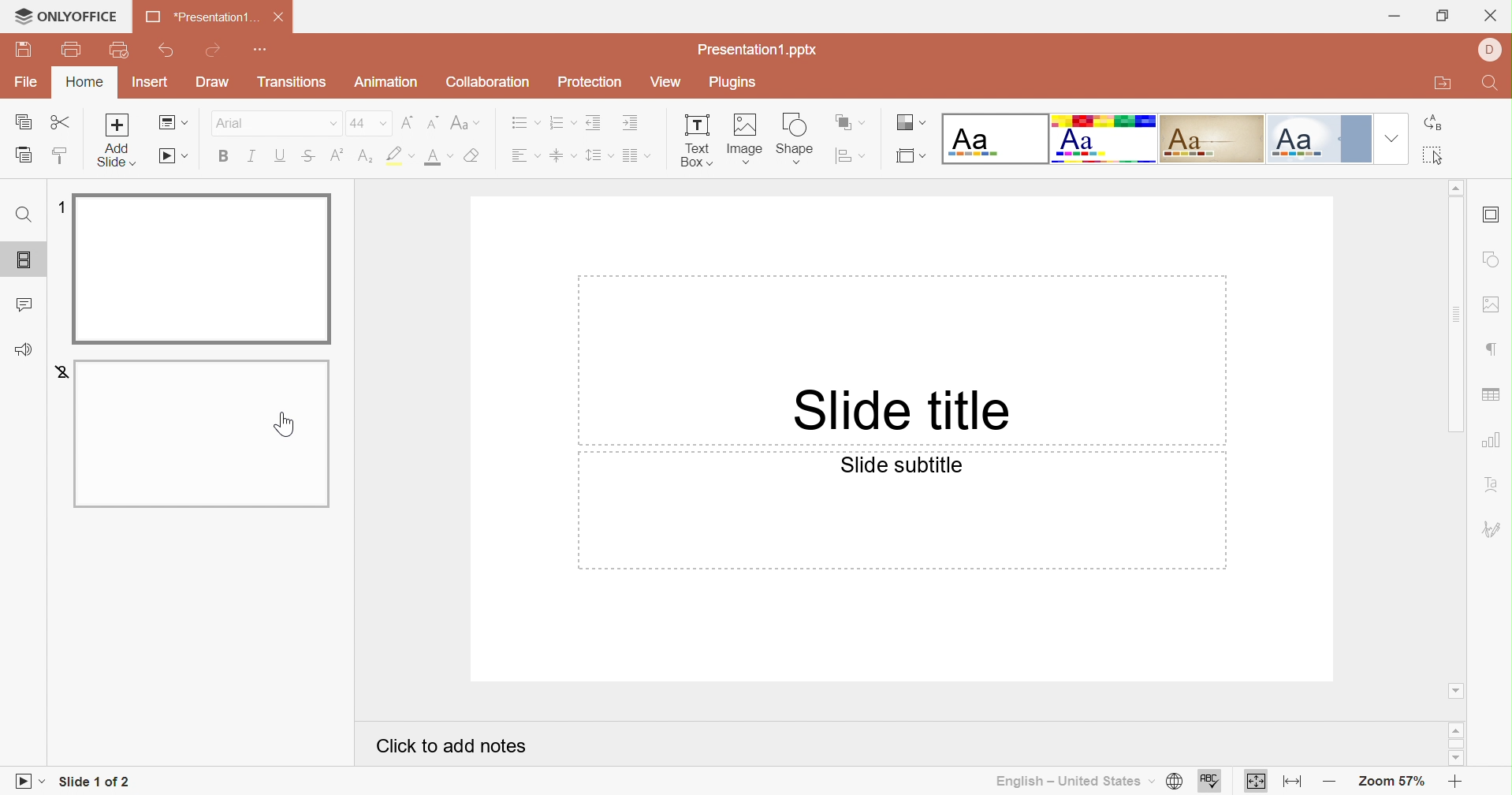 This screenshot has width=1512, height=795. I want to click on Click to add notes, so click(449, 745).